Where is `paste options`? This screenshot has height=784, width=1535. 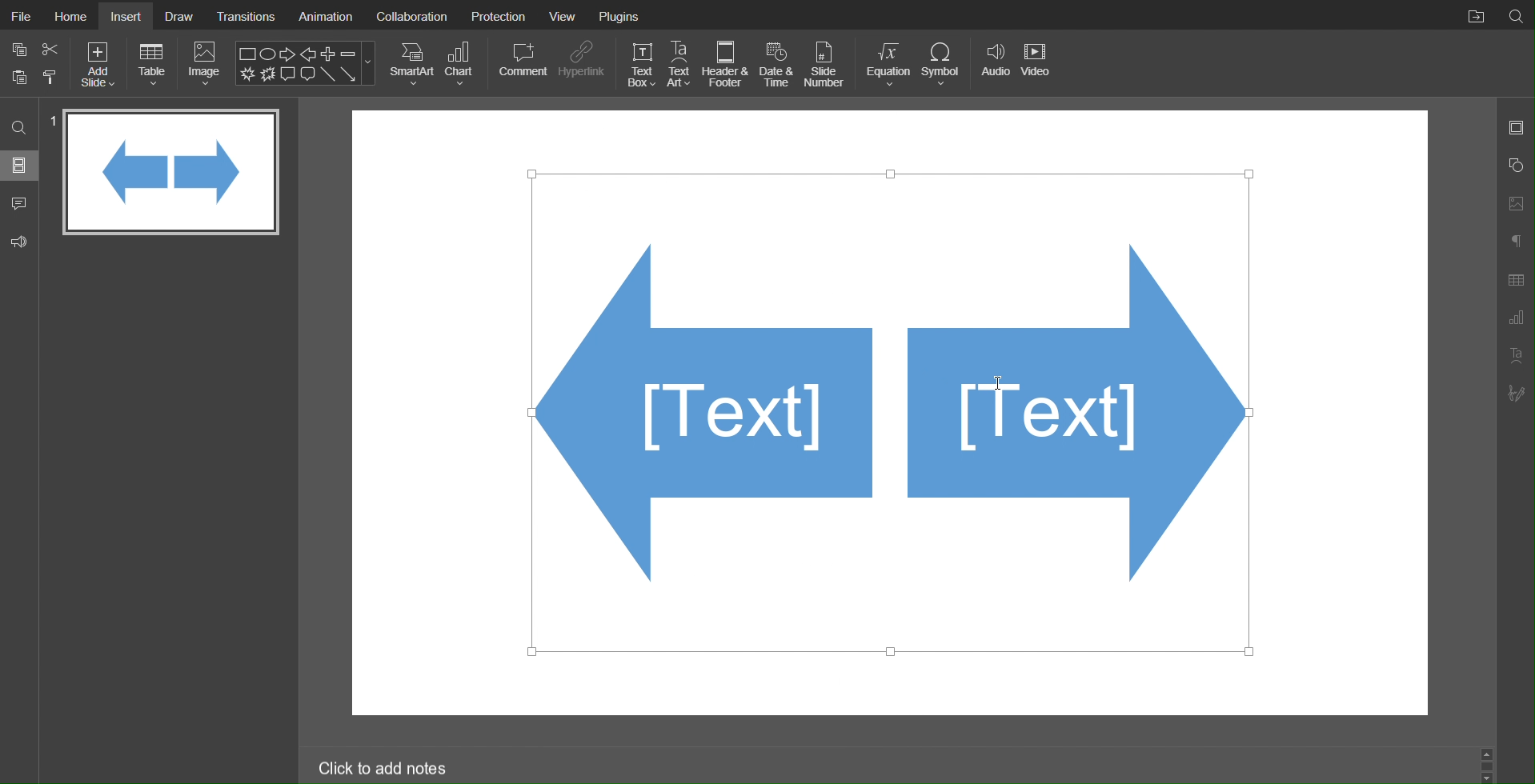
paste options is located at coordinates (51, 79).